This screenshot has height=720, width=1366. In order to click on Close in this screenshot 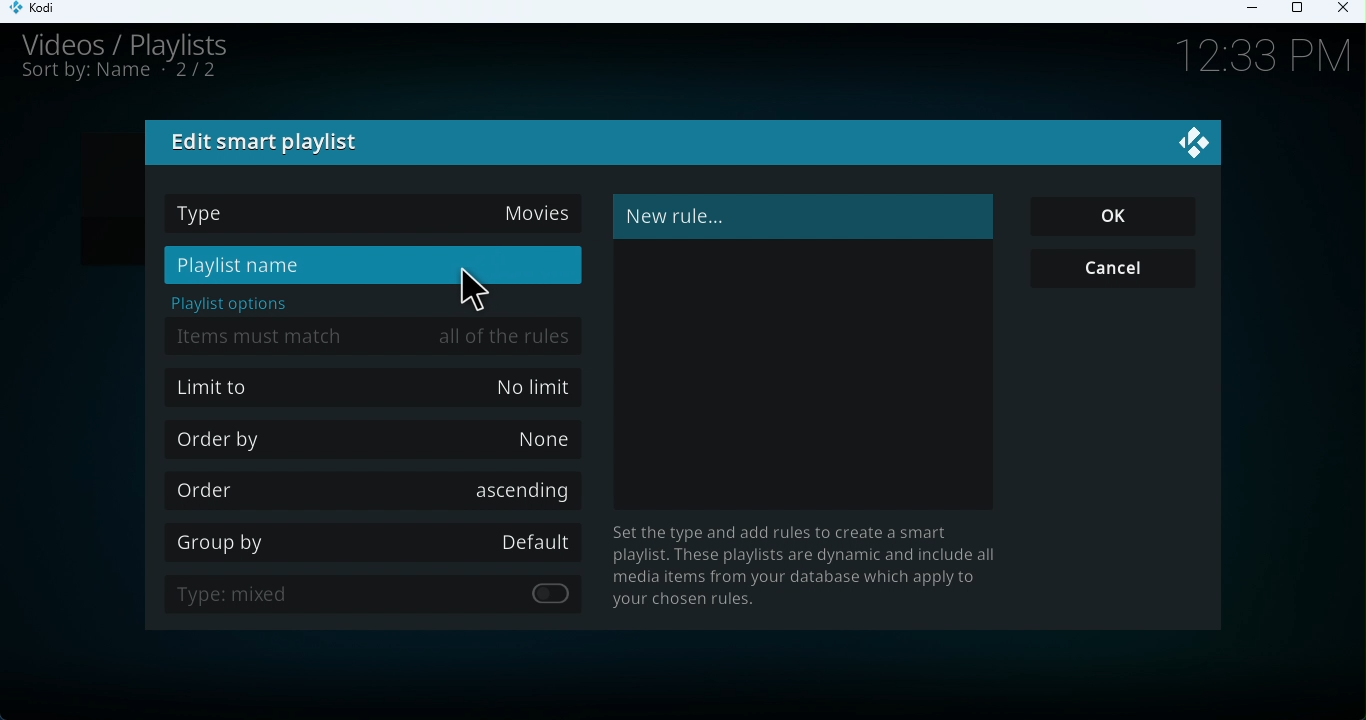, I will do `click(1346, 12)`.